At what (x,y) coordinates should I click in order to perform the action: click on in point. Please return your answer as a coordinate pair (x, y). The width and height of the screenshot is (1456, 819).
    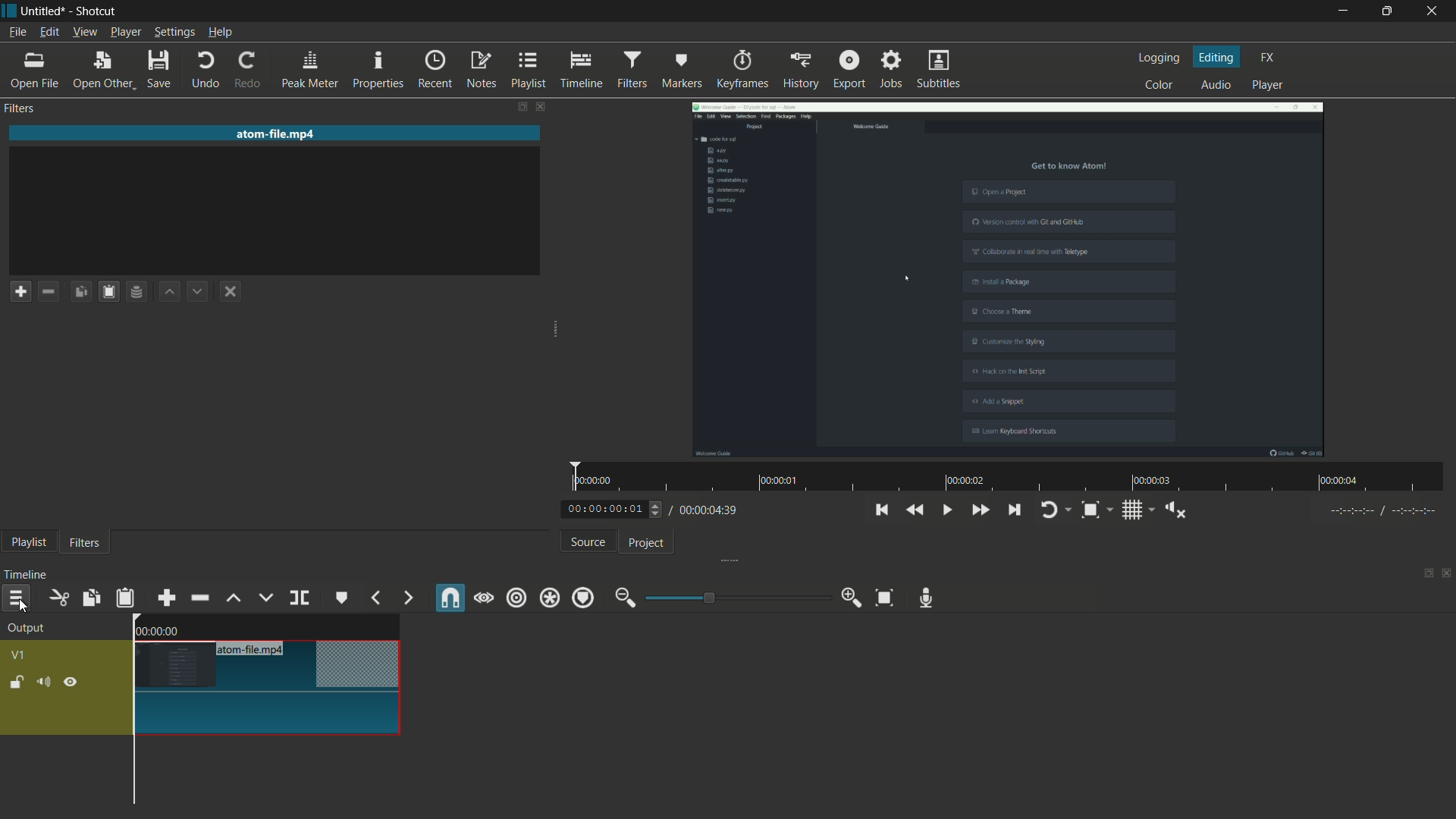
    Looking at the image, I should click on (1384, 511).